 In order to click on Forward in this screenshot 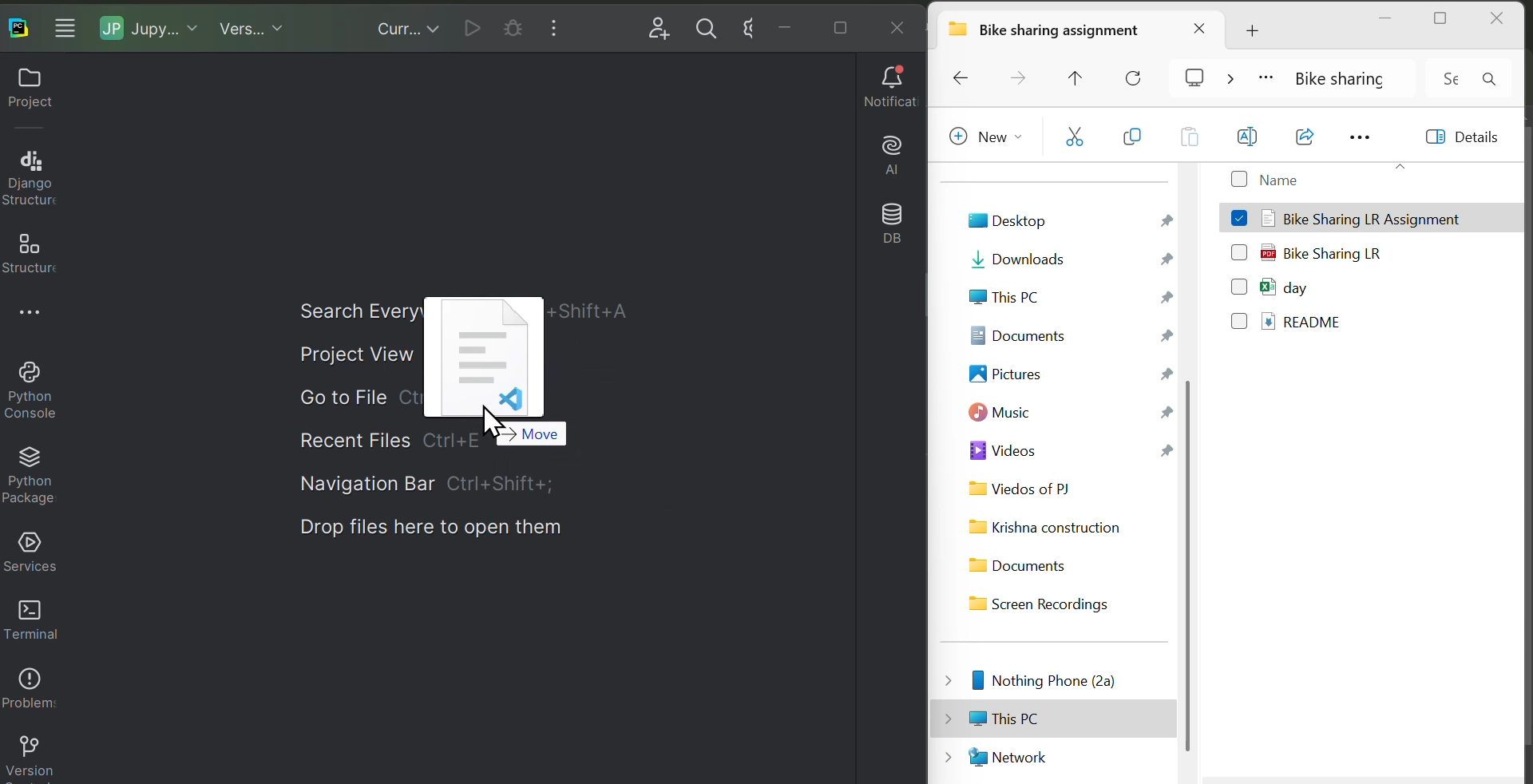, I will do `click(1021, 77)`.